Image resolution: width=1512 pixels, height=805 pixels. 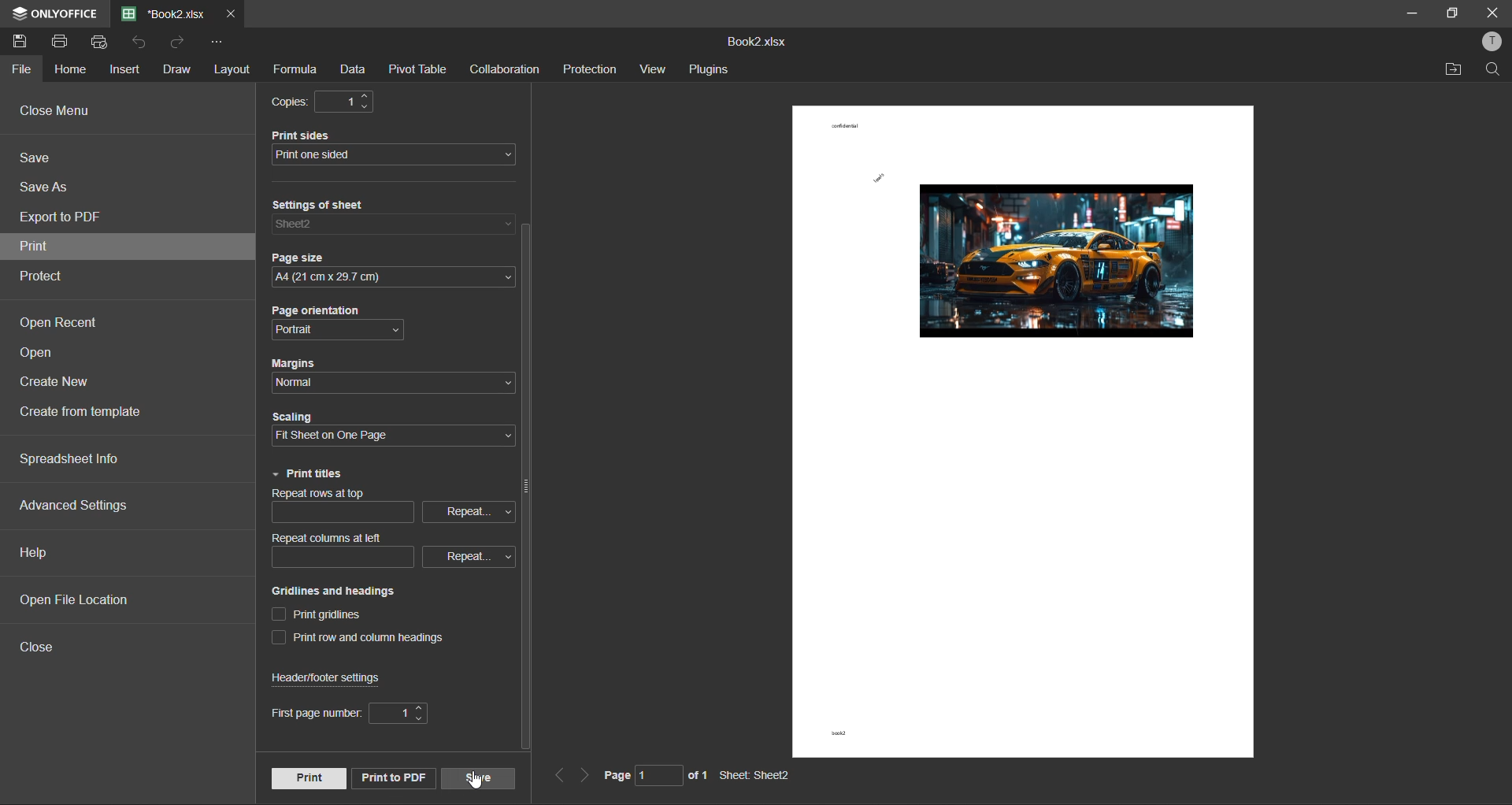 What do you see at coordinates (557, 773) in the screenshot?
I see `previous` at bounding box center [557, 773].